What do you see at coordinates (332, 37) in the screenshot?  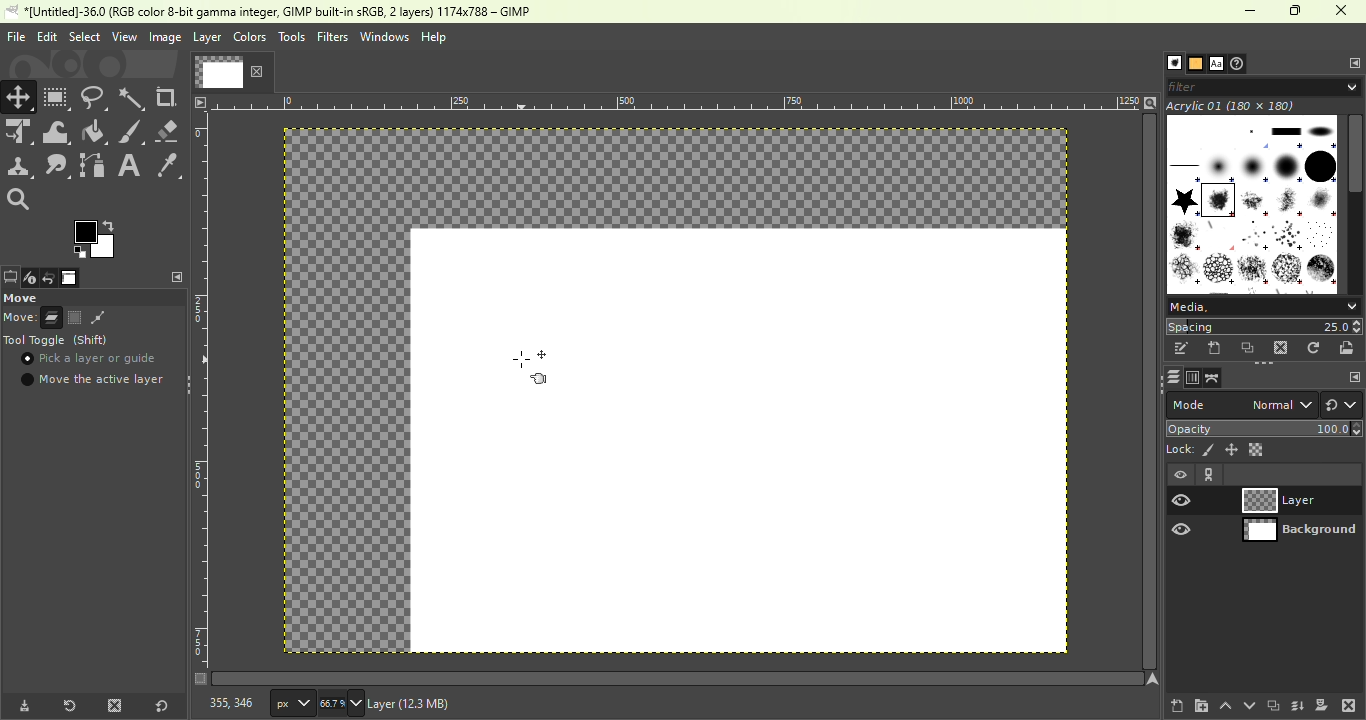 I see `Filters` at bounding box center [332, 37].